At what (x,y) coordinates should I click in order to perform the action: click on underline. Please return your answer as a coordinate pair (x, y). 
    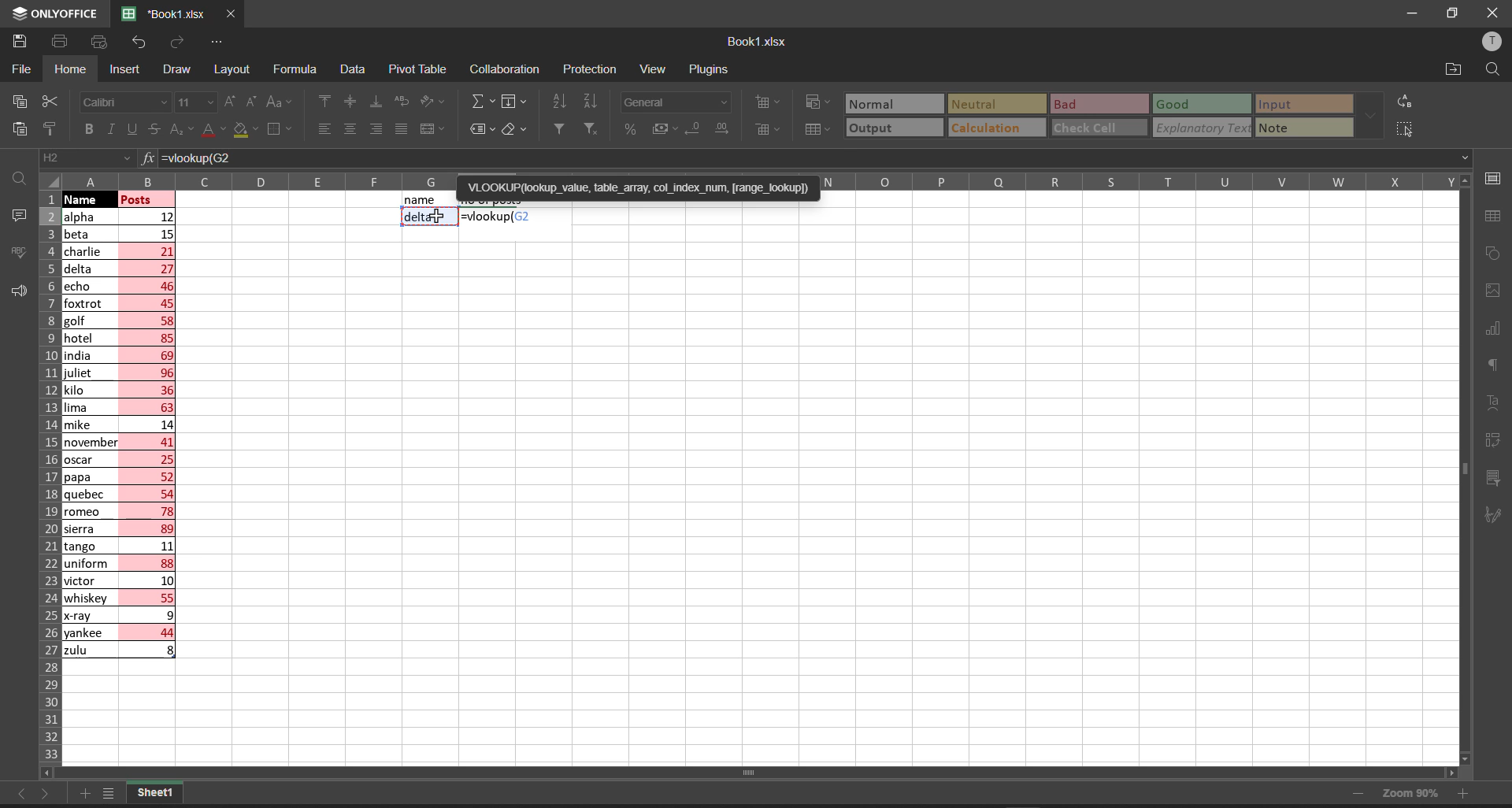
    Looking at the image, I should click on (129, 128).